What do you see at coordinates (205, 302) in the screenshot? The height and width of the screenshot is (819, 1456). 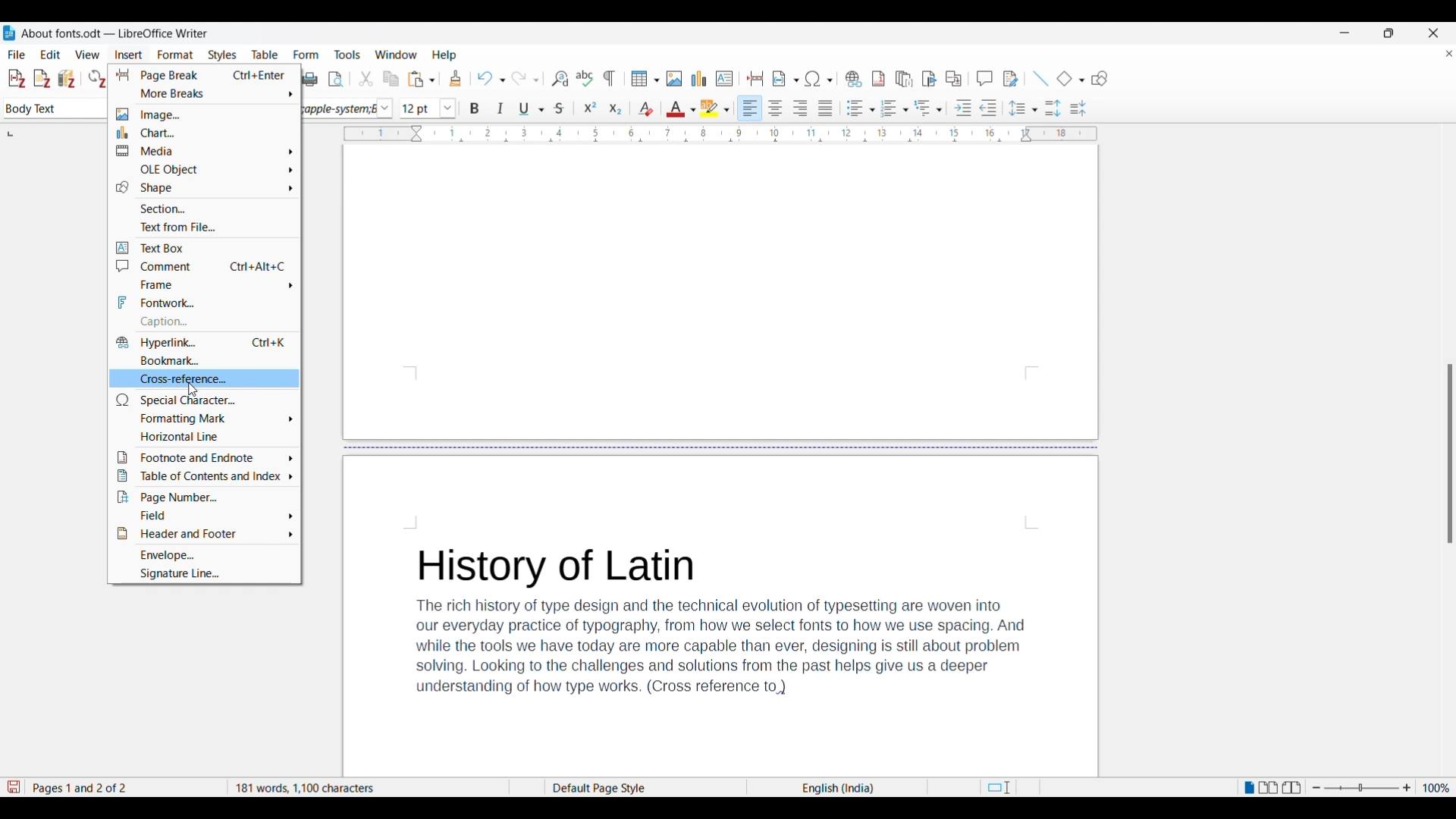 I see `Fontwork` at bounding box center [205, 302].